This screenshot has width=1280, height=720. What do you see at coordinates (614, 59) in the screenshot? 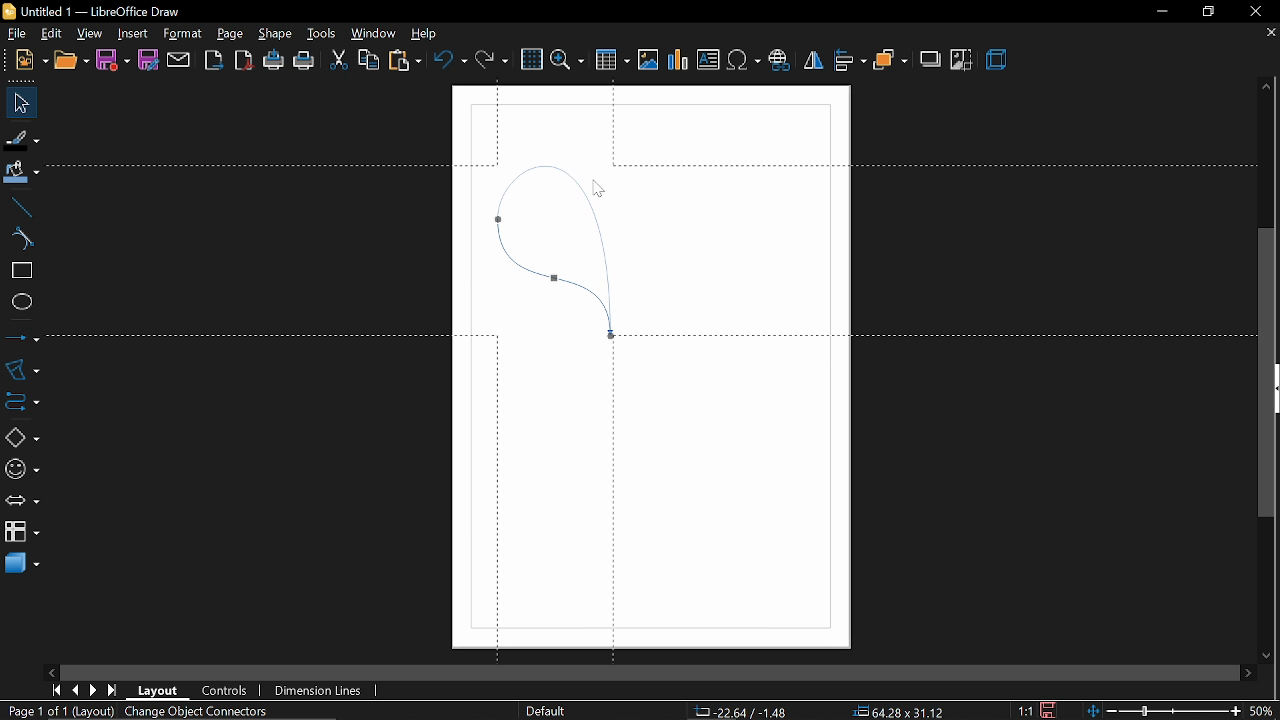
I see `Insert table` at bounding box center [614, 59].